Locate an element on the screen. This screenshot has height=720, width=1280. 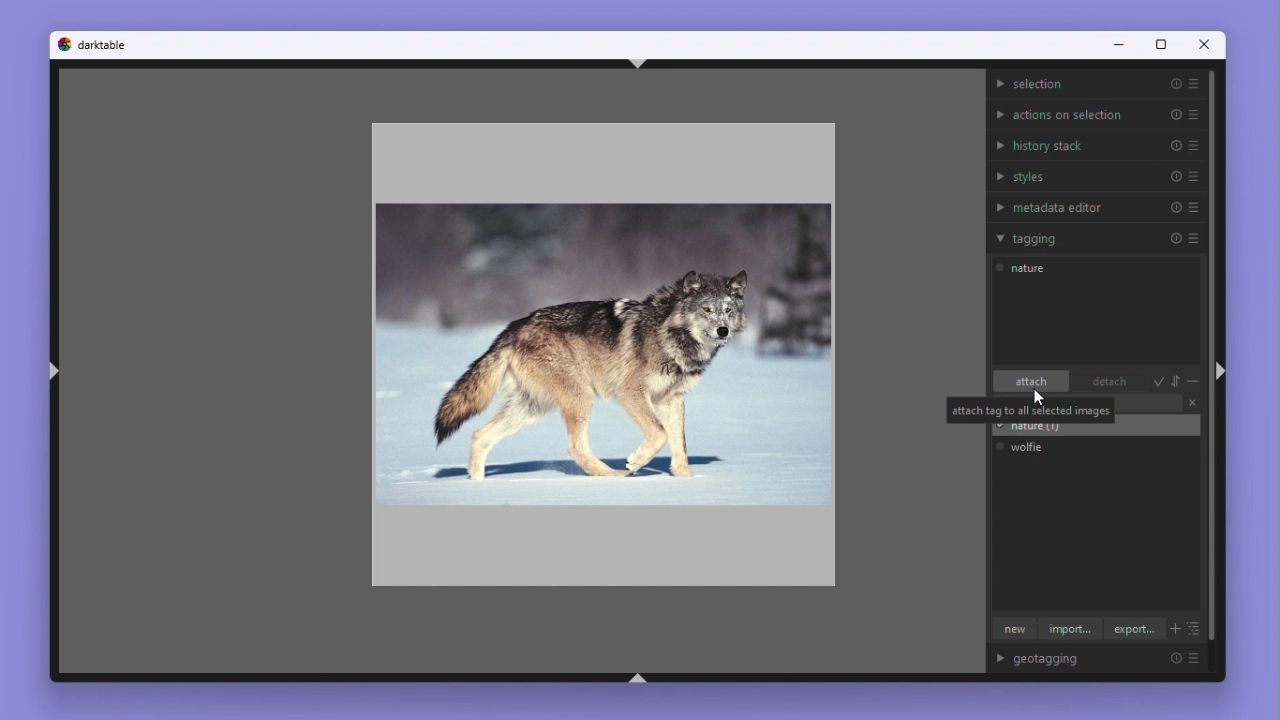
Close is located at coordinates (1207, 46).